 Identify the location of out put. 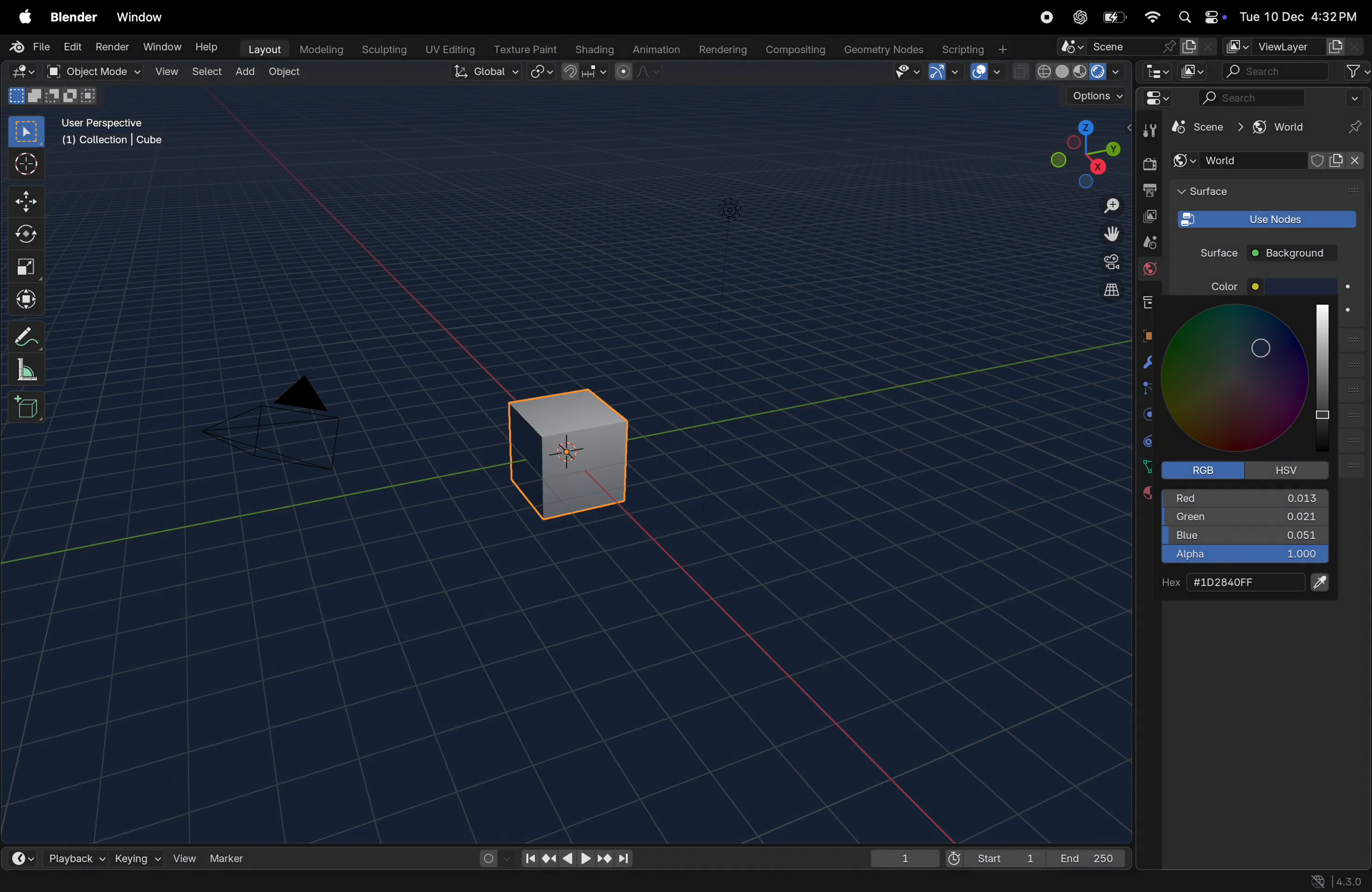
(1148, 216).